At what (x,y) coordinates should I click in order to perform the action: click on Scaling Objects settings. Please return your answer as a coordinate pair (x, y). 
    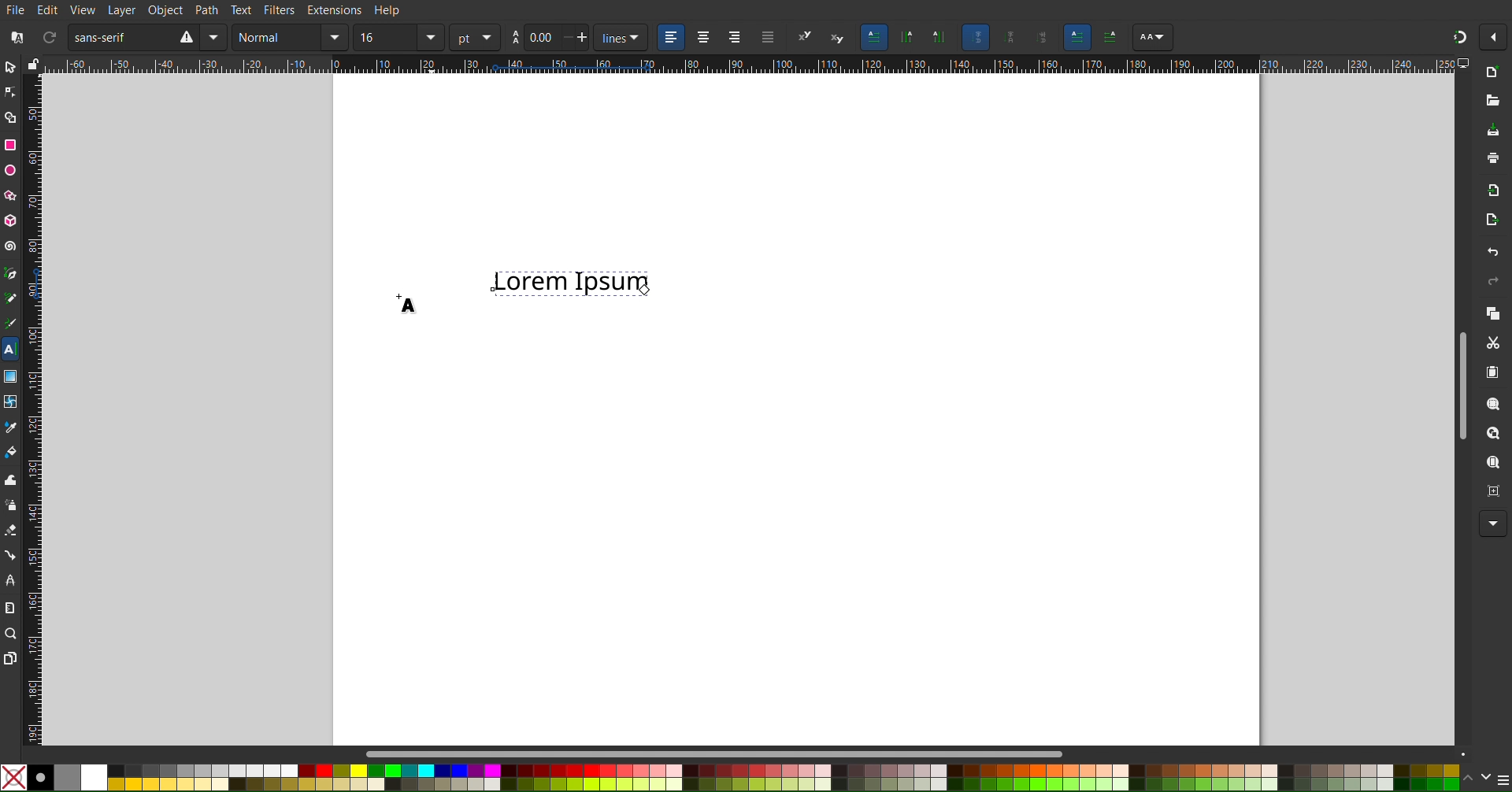
    Looking at the image, I should click on (939, 37).